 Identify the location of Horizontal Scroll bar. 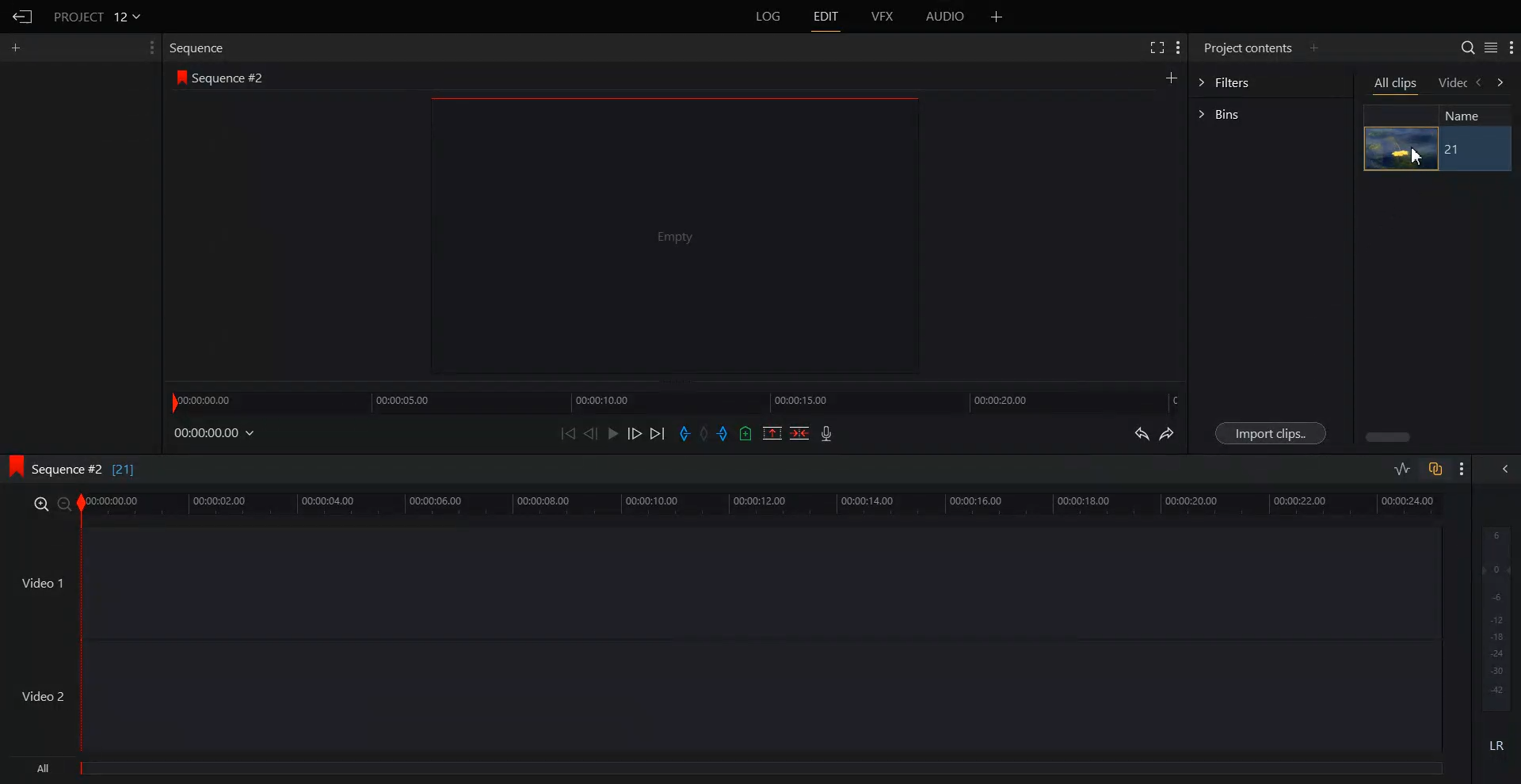
(1386, 437).